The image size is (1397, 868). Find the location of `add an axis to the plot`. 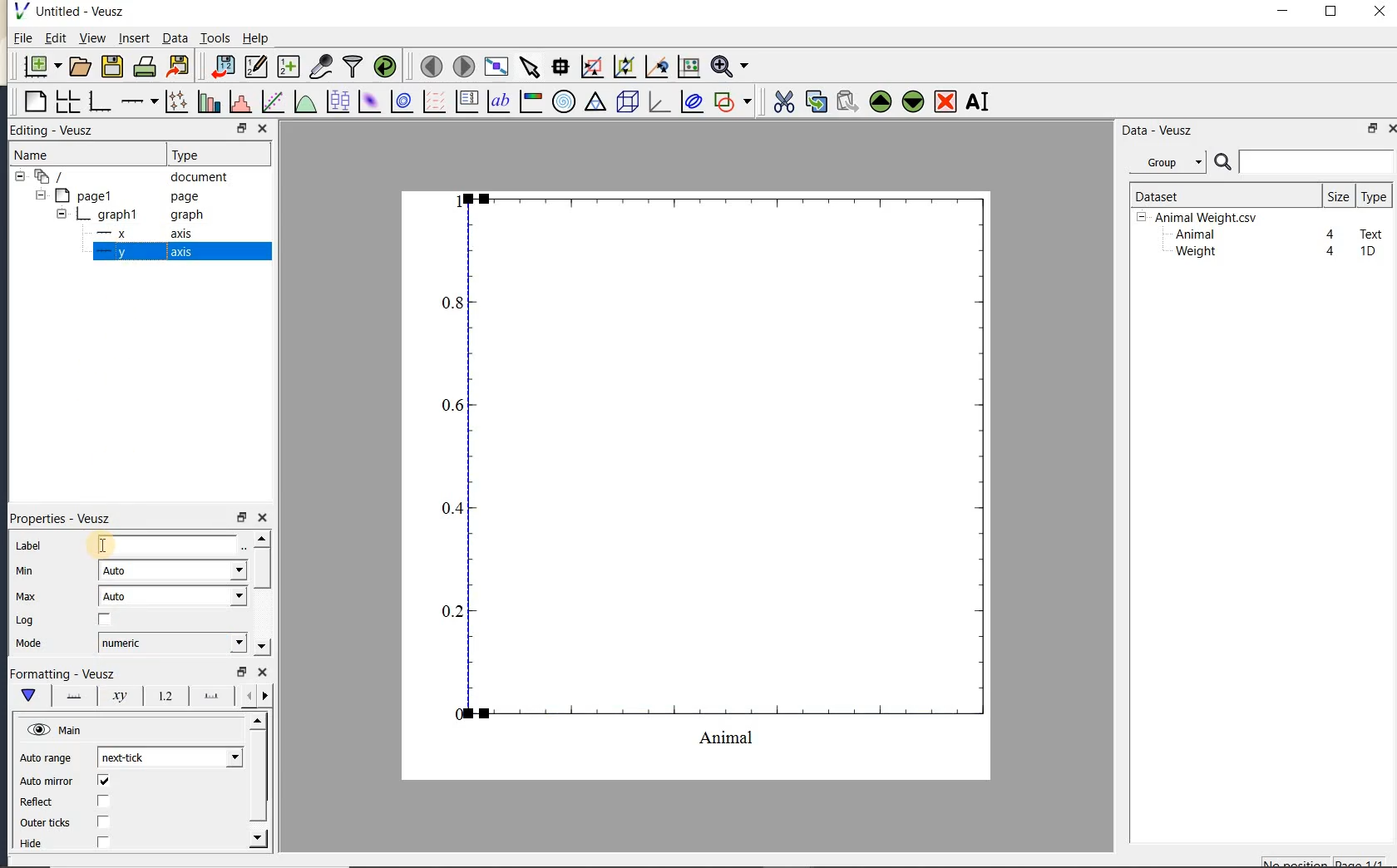

add an axis to the plot is located at coordinates (139, 101).